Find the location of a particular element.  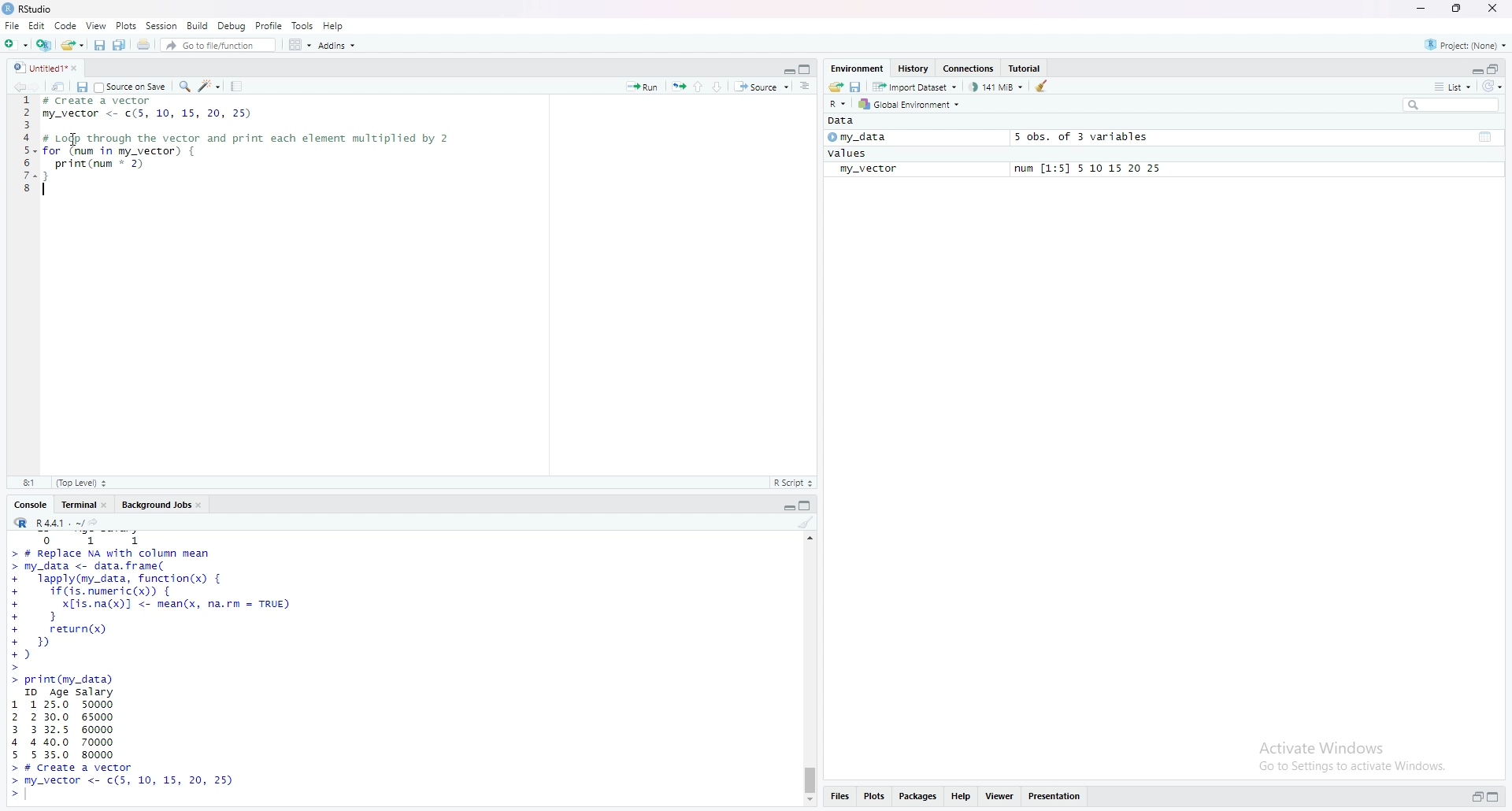

import dataset is located at coordinates (915, 87).